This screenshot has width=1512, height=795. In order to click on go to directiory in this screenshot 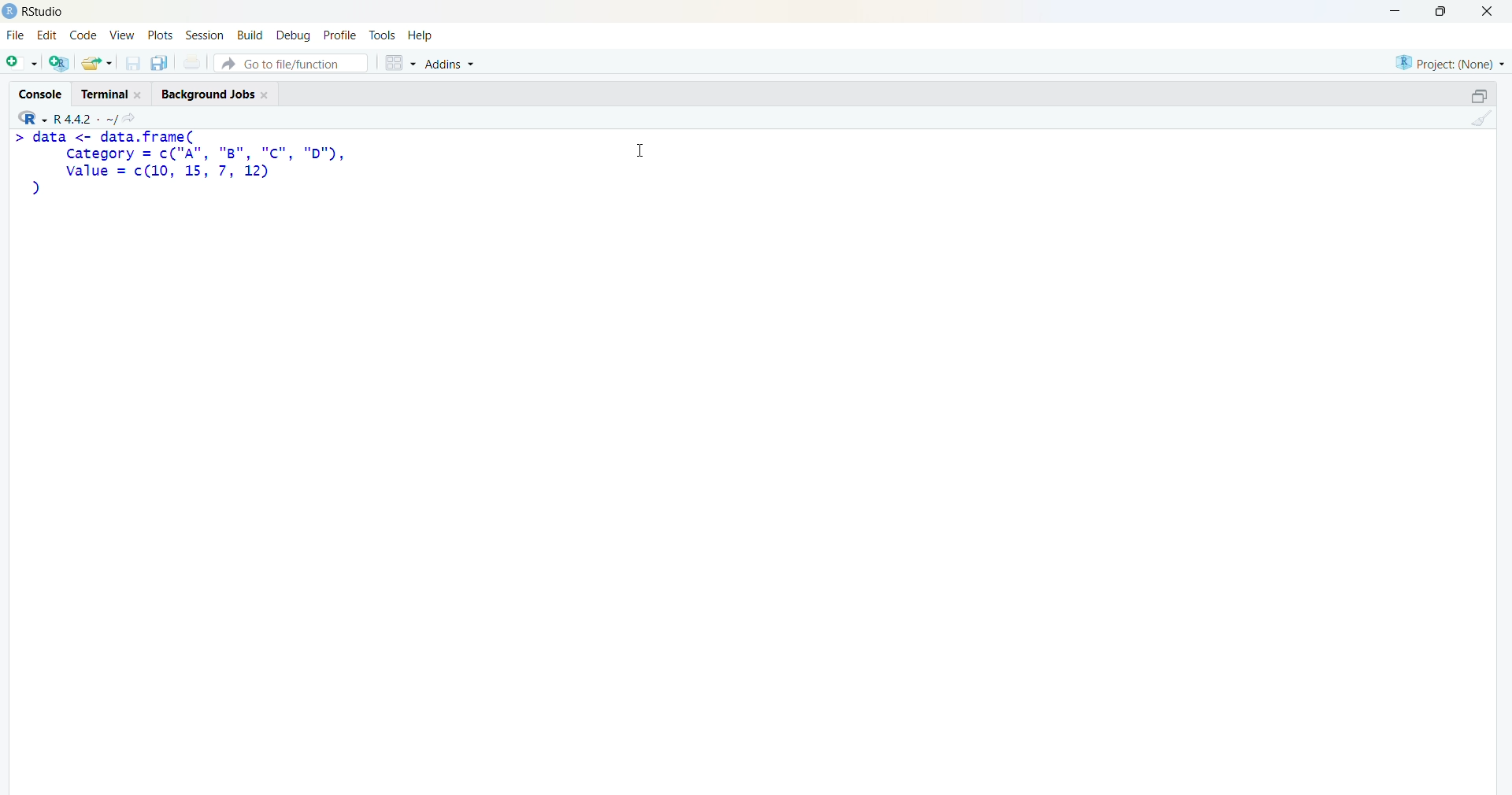, I will do `click(133, 118)`.